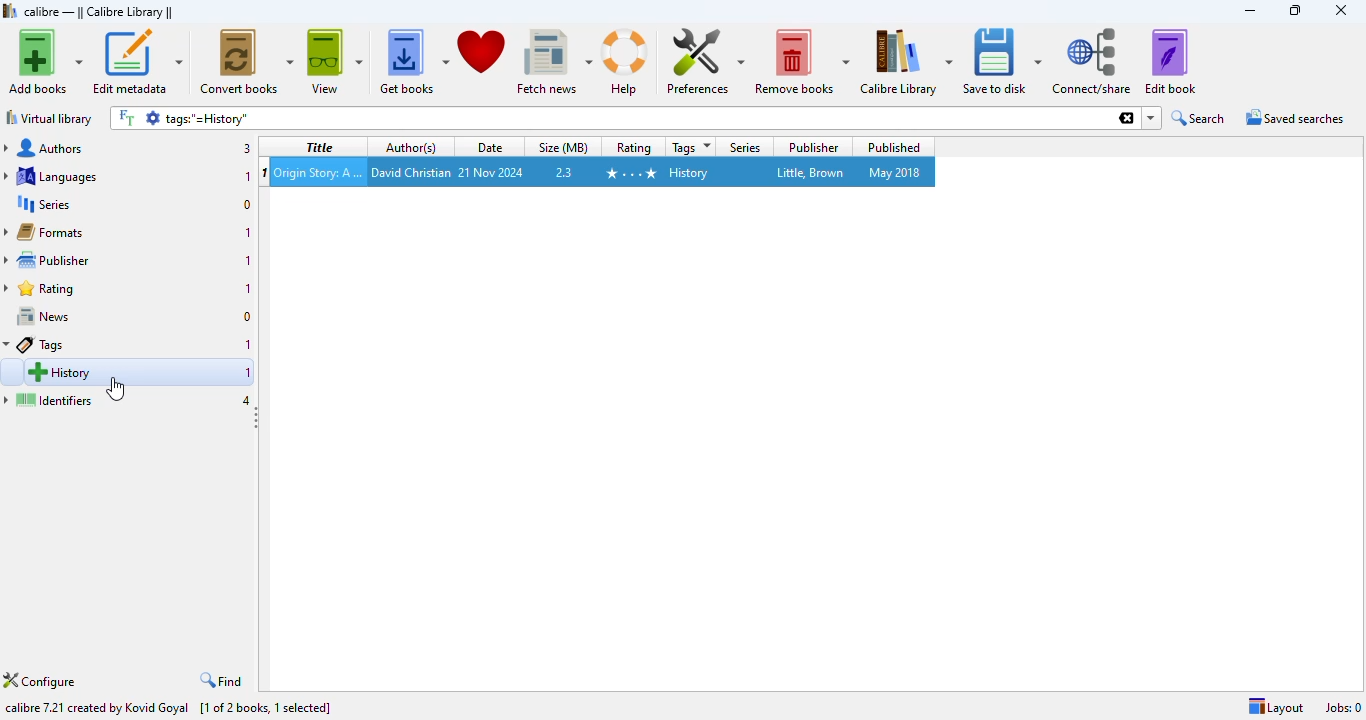 The image size is (1366, 720). I want to click on david christian, so click(412, 172).